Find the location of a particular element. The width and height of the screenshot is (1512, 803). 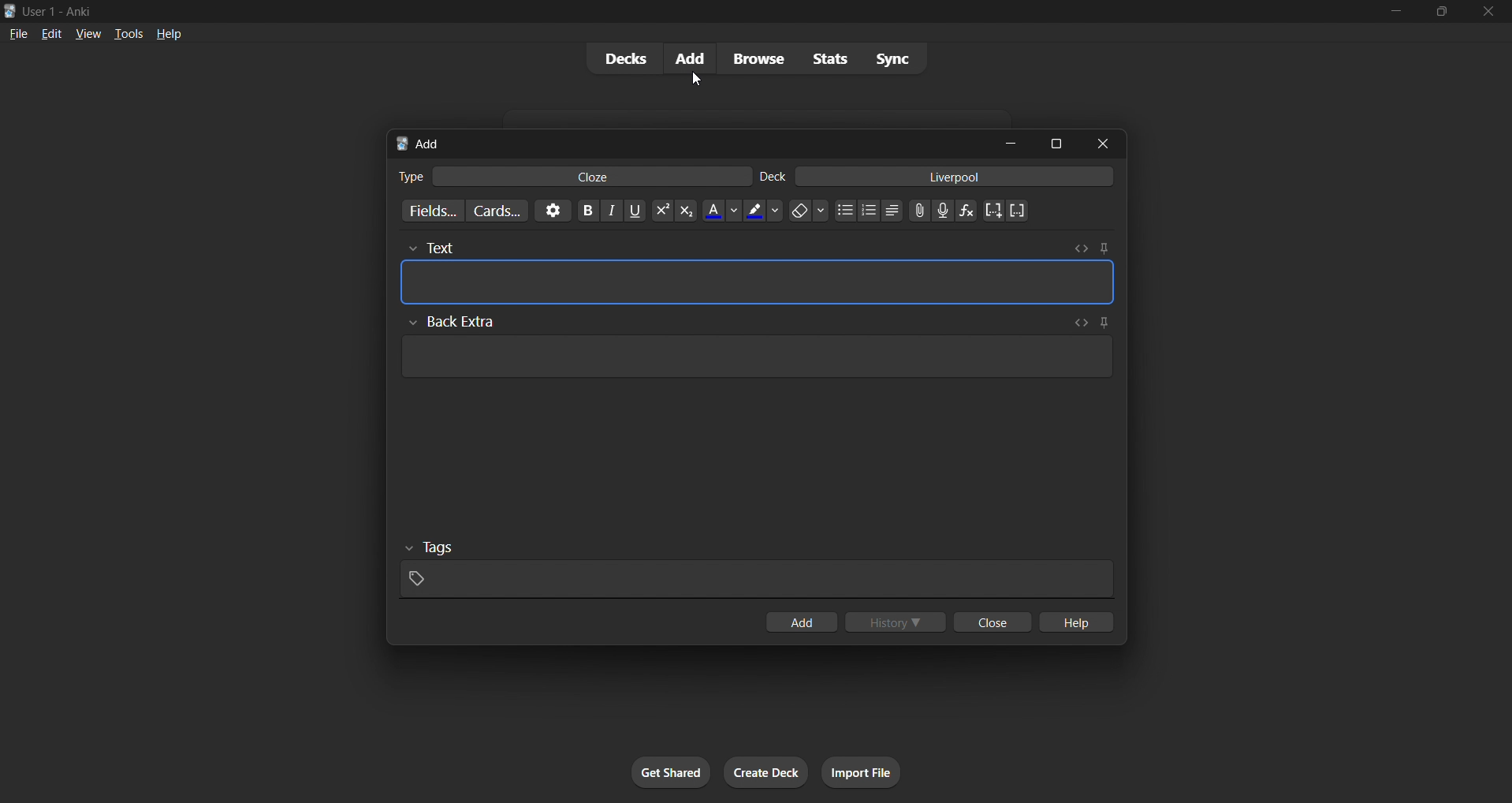

ordered list is located at coordinates (874, 211).